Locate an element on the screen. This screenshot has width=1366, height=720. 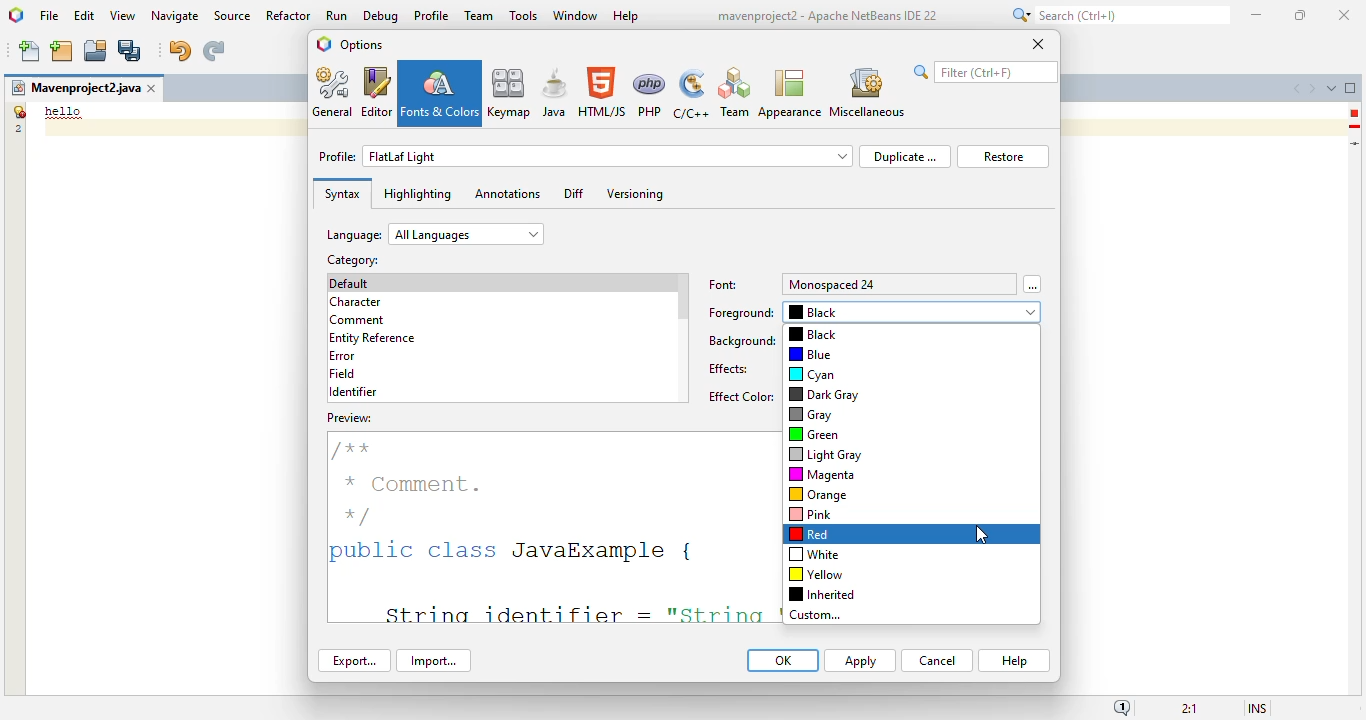
close is located at coordinates (1038, 43).